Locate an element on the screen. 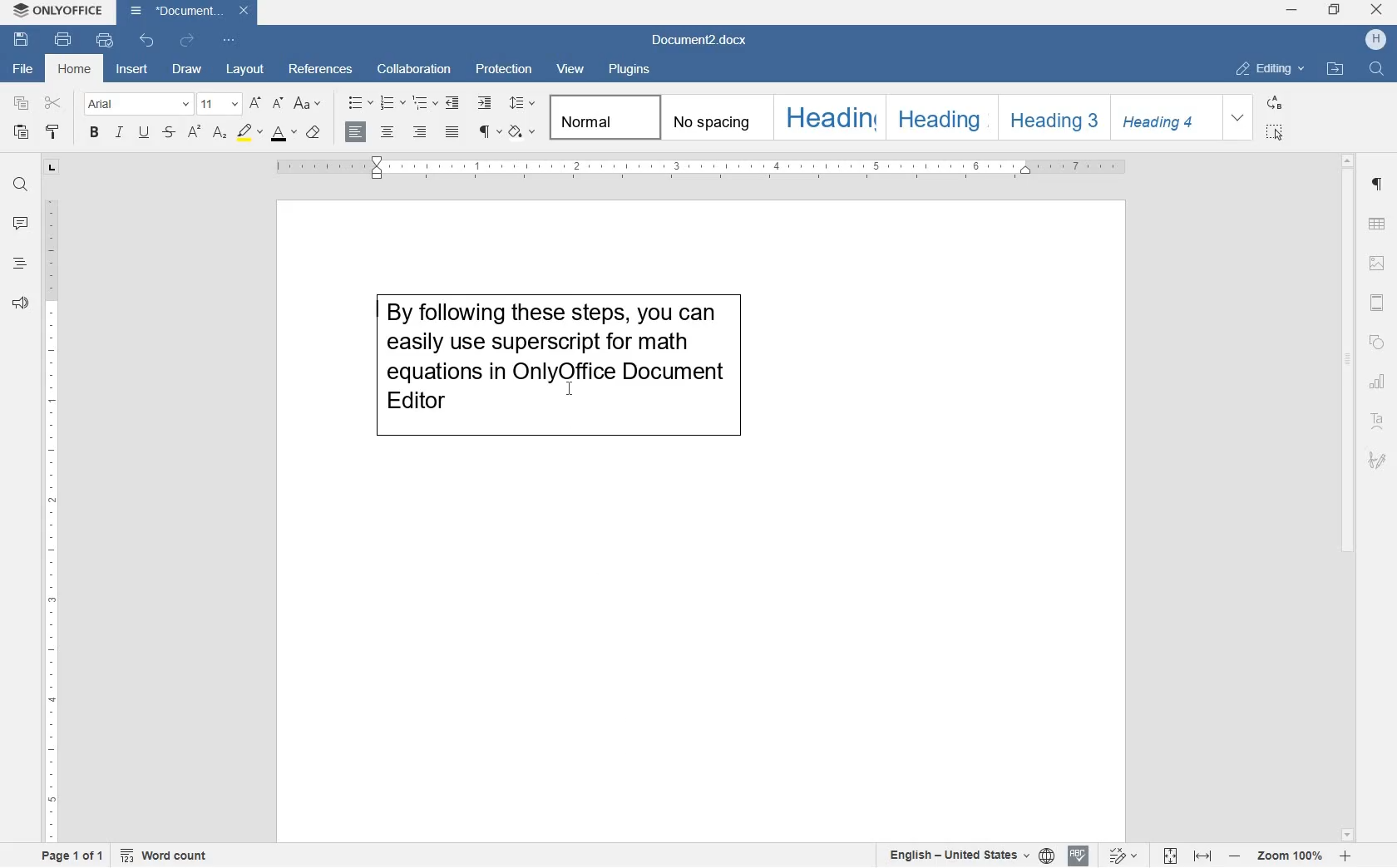 The image size is (1397, 868). tab is located at coordinates (51, 169).